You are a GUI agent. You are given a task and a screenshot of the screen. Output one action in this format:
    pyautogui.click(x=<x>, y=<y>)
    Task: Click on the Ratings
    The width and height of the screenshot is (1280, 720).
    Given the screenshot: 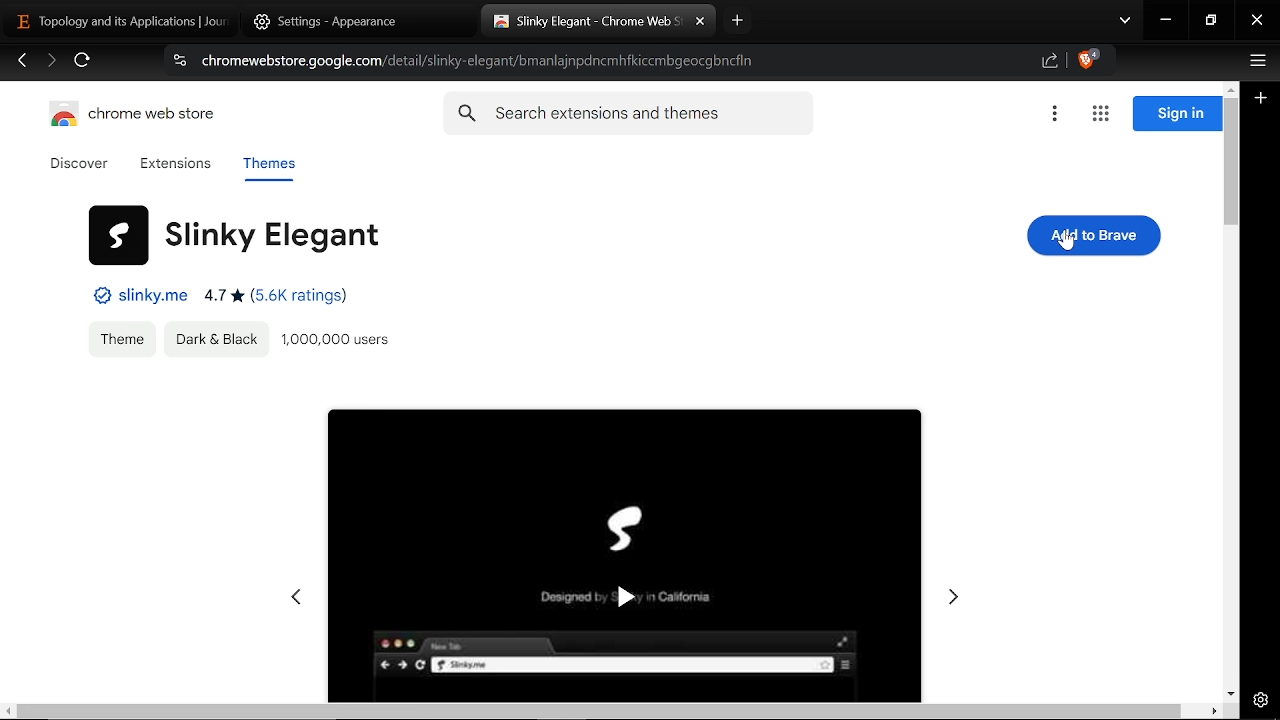 What is the action you would take?
    pyautogui.click(x=278, y=298)
    